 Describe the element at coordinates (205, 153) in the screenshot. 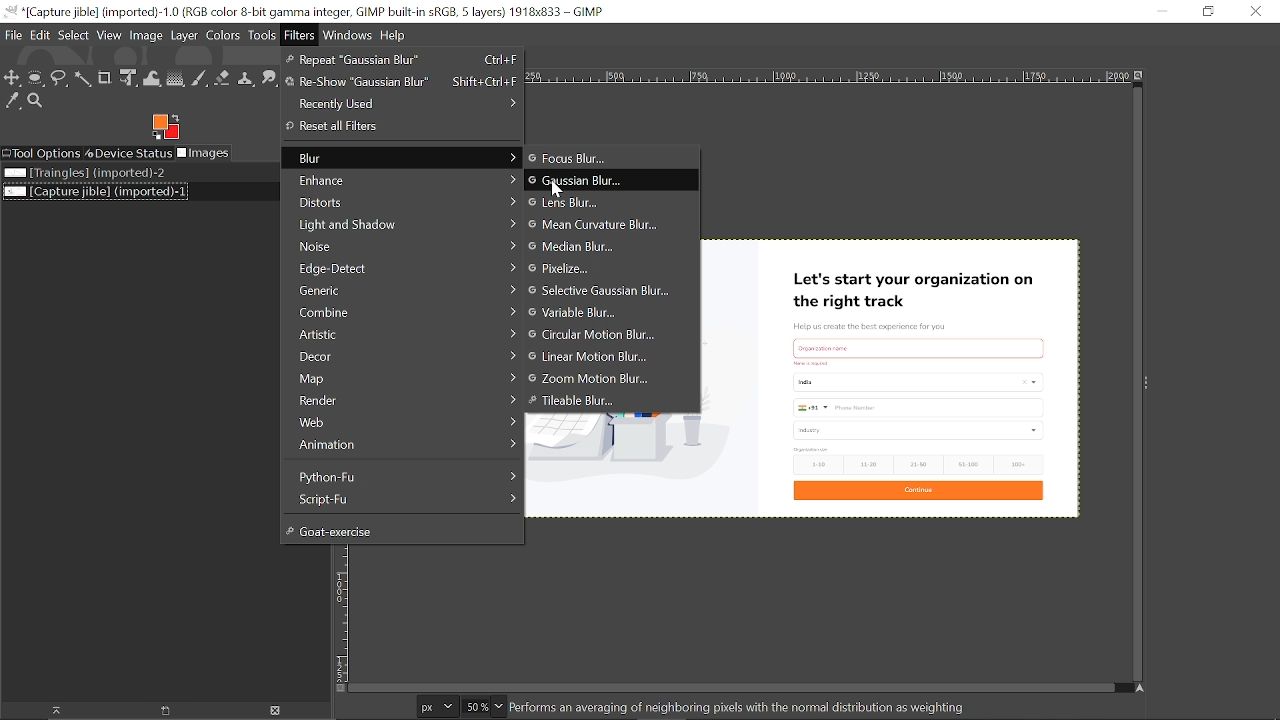

I see `Images` at that location.